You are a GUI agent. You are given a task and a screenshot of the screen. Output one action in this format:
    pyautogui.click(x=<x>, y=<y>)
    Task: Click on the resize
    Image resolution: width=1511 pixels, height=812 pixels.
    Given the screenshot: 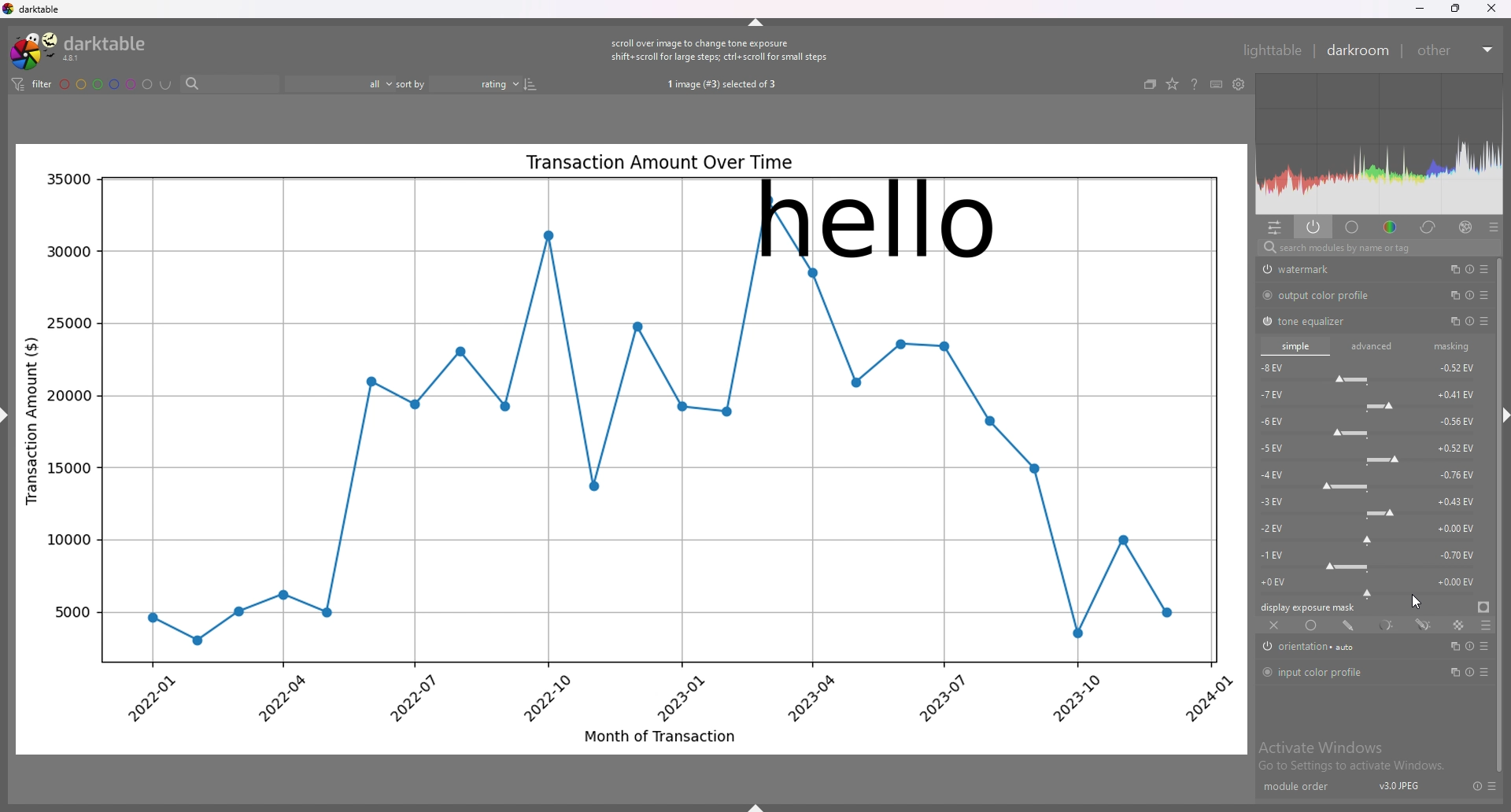 What is the action you would take?
    pyautogui.click(x=1454, y=9)
    